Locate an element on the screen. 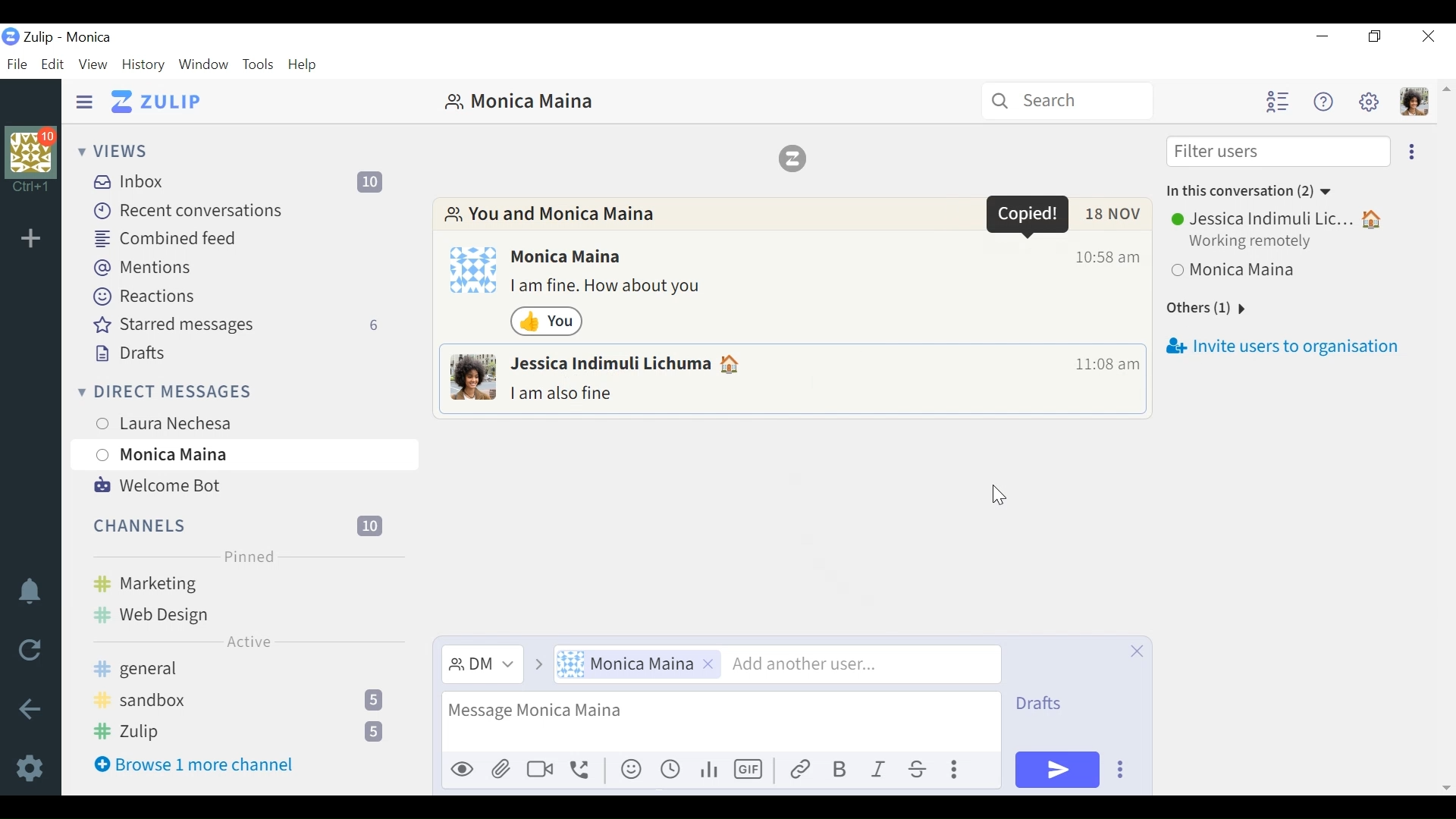 Image resolution: width=1456 pixels, height=819 pixels. Ellipsis is located at coordinates (959, 772).